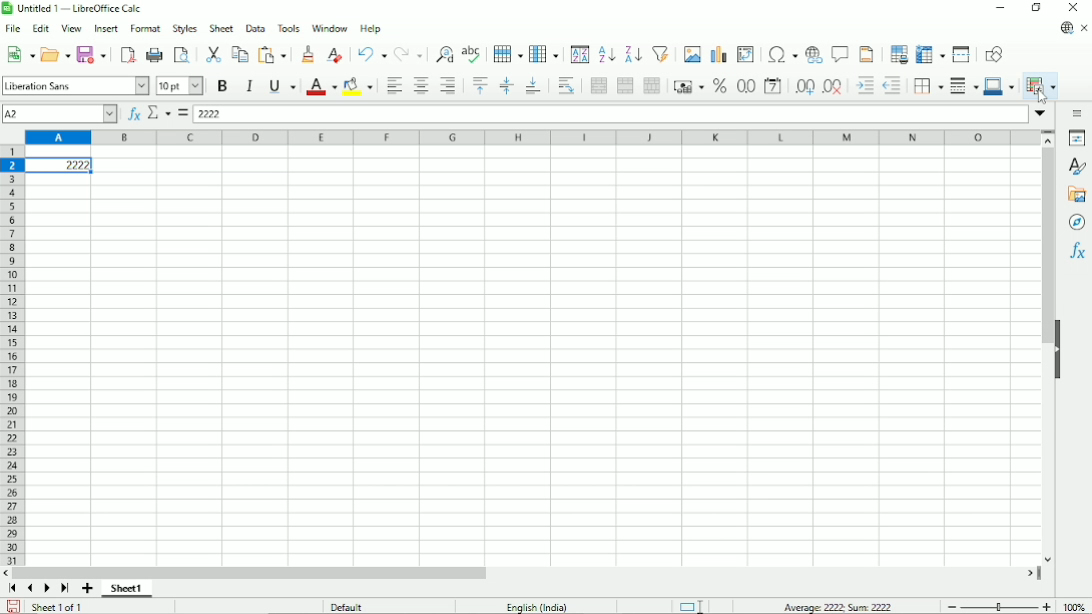 The width and height of the screenshot is (1092, 614). What do you see at coordinates (40, 28) in the screenshot?
I see `Edit` at bounding box center [40, 28].